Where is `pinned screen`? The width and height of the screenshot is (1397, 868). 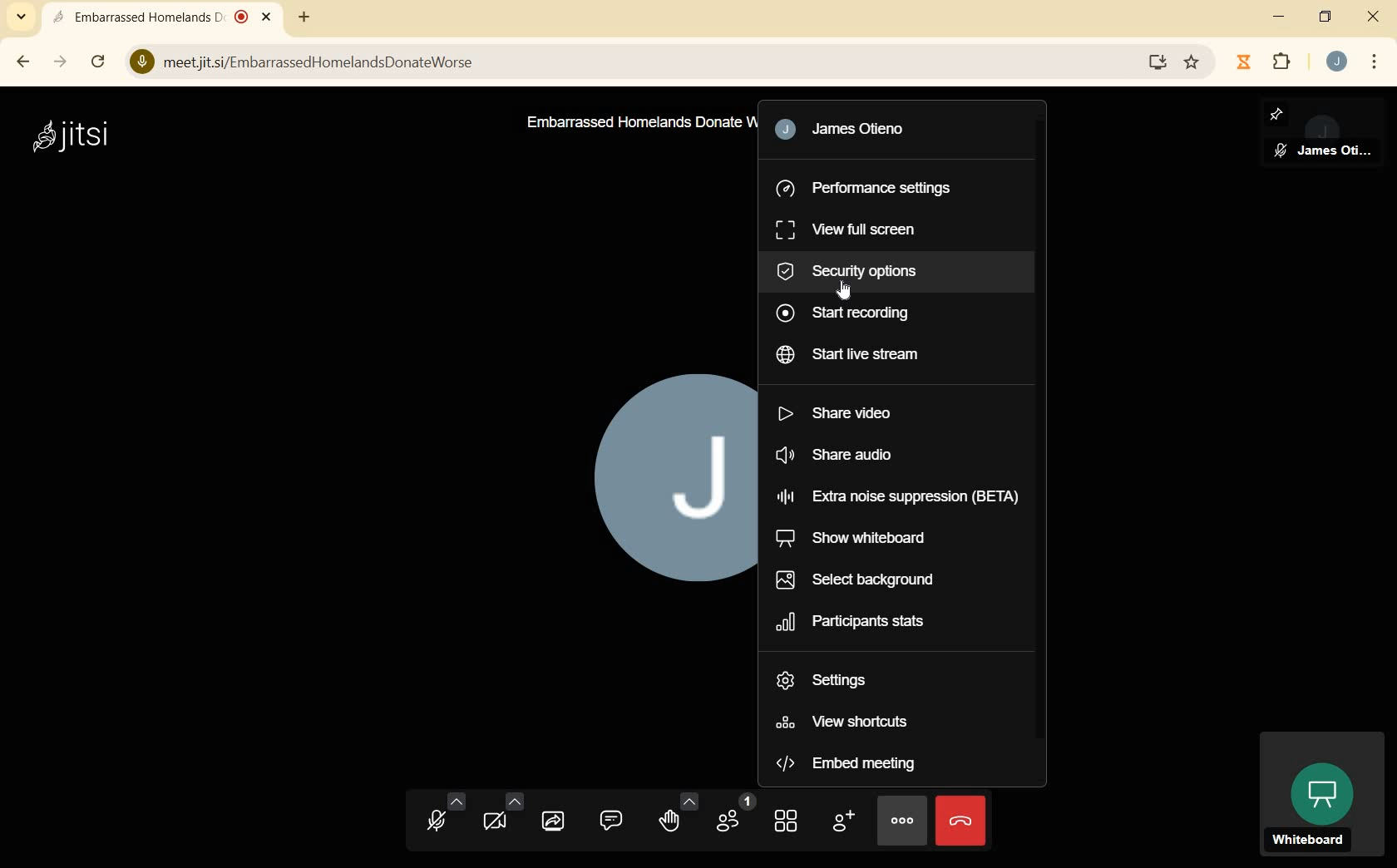 pinned screen is located at coordinates (1323, 133).